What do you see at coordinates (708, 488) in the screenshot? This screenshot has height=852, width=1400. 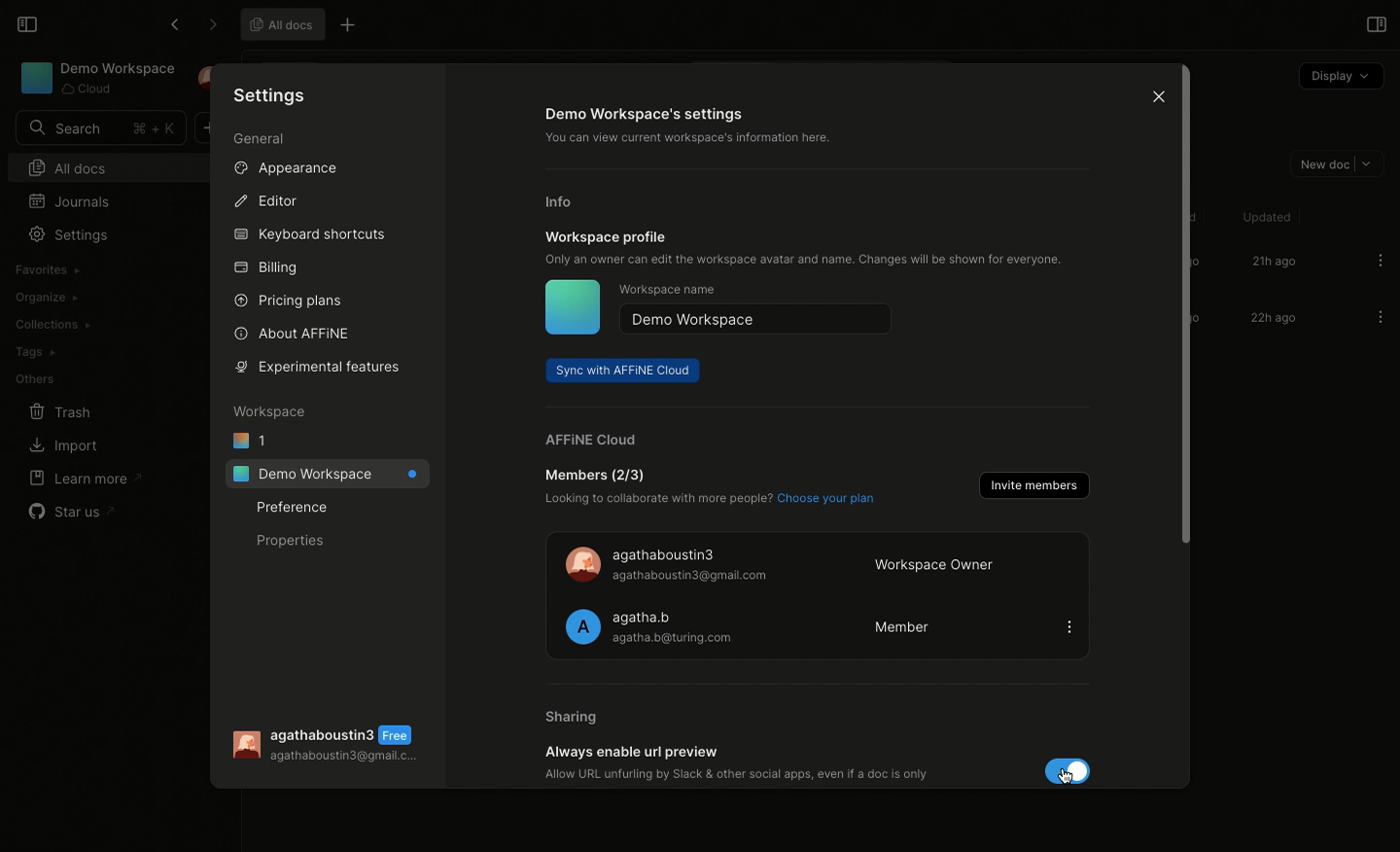 I see `Members` at bounding box center [708, 488].